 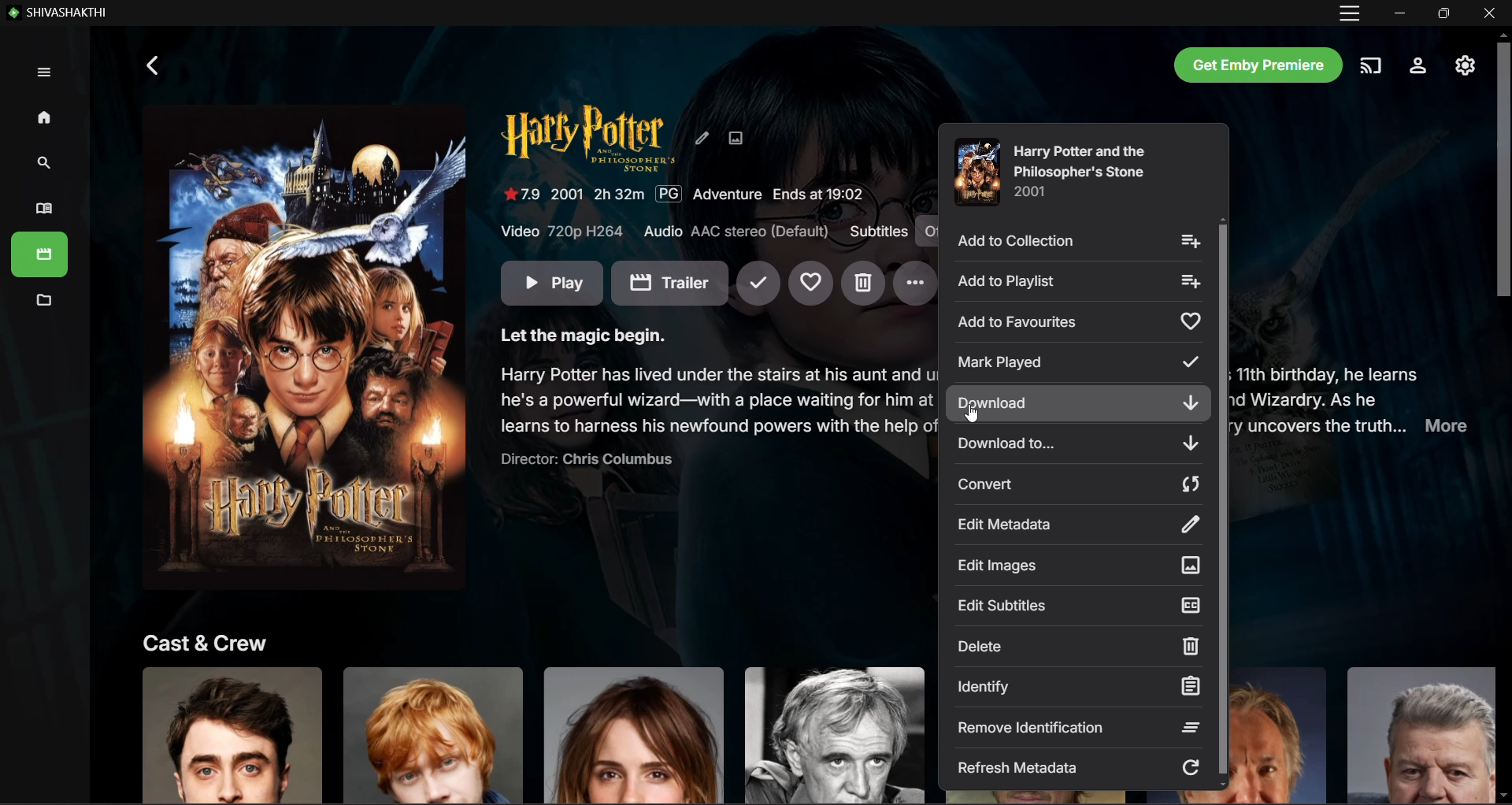 What do you see at coordinates (1078, 767) in the screenshot?
I see `Refresh Metadata` at bounding box center [1078, 767].